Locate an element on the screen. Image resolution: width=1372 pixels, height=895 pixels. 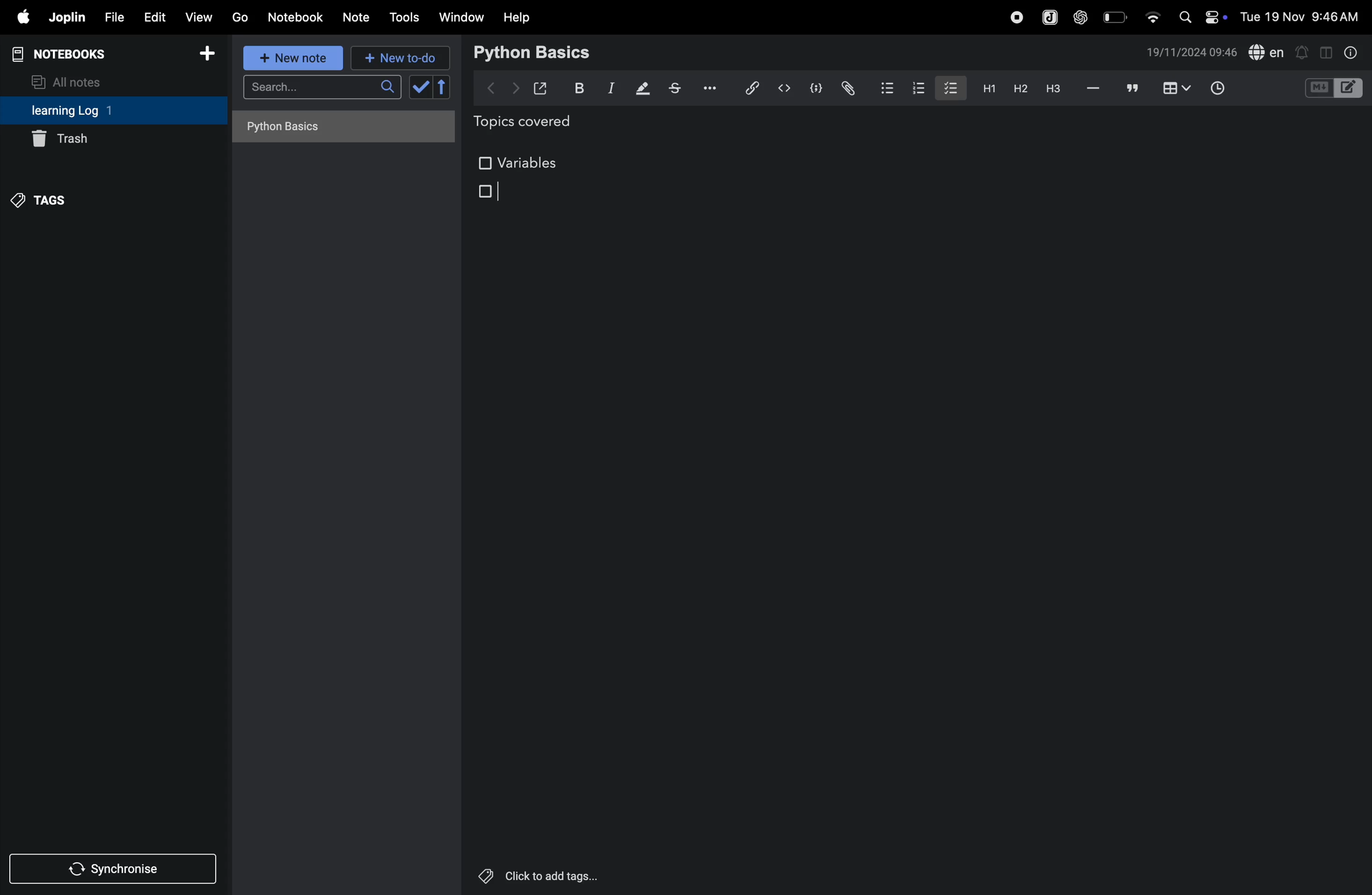
attach file is located at coordinates (847, 88).